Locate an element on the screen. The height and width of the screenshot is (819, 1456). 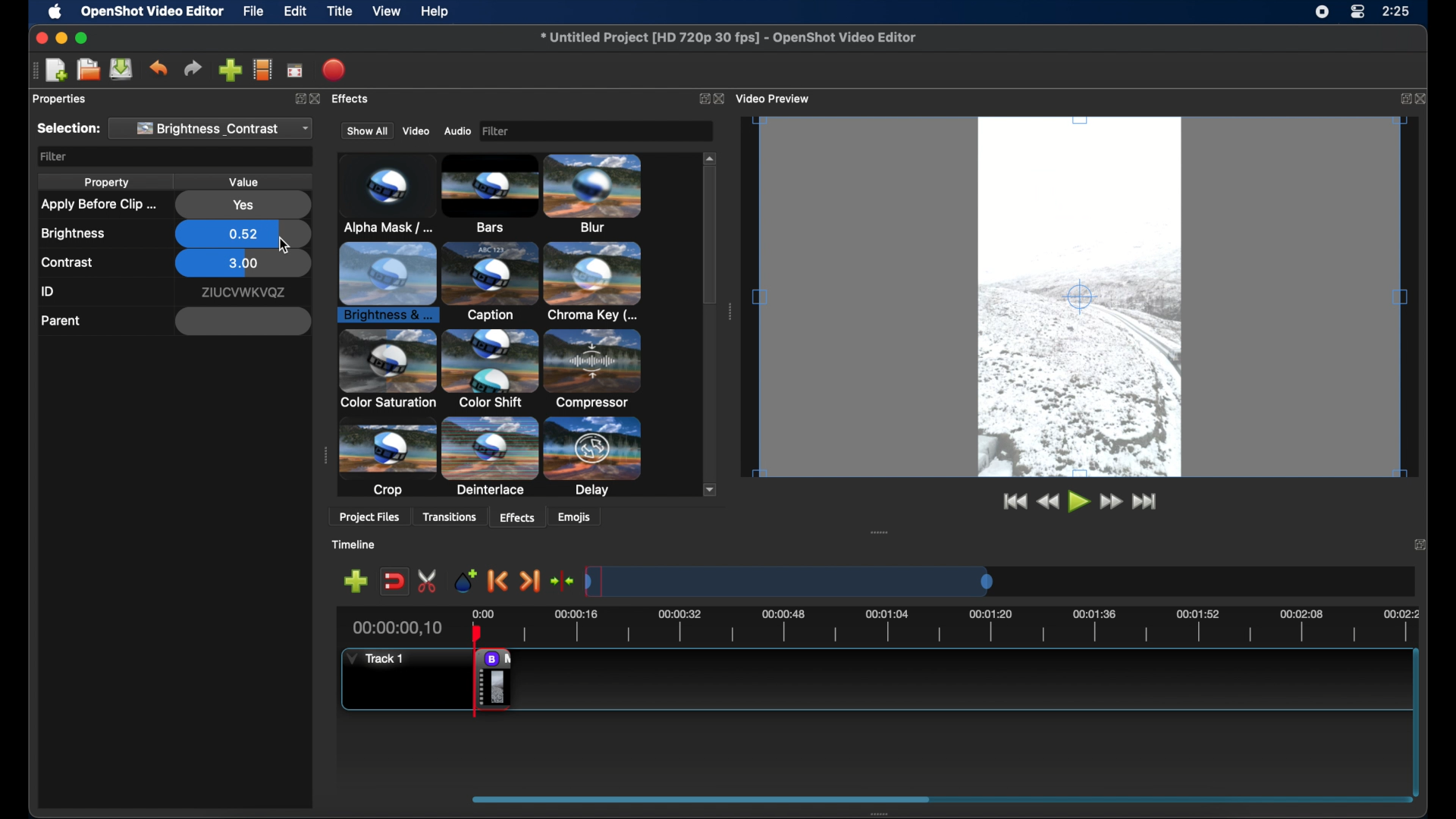
bars is located at coordinates (379, 195).